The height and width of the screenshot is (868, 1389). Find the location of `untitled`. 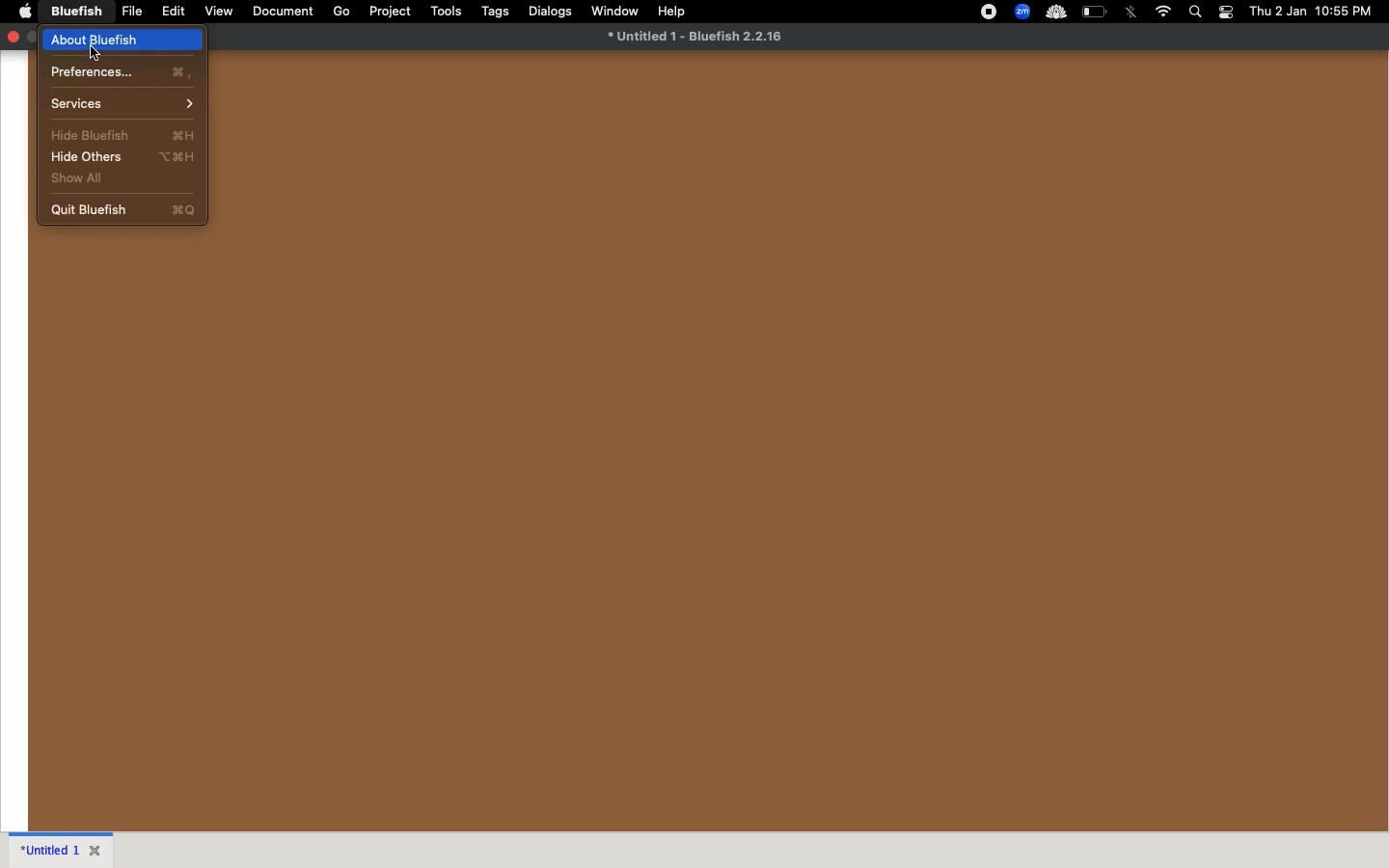

untitled is located at coordinates (47, 848).